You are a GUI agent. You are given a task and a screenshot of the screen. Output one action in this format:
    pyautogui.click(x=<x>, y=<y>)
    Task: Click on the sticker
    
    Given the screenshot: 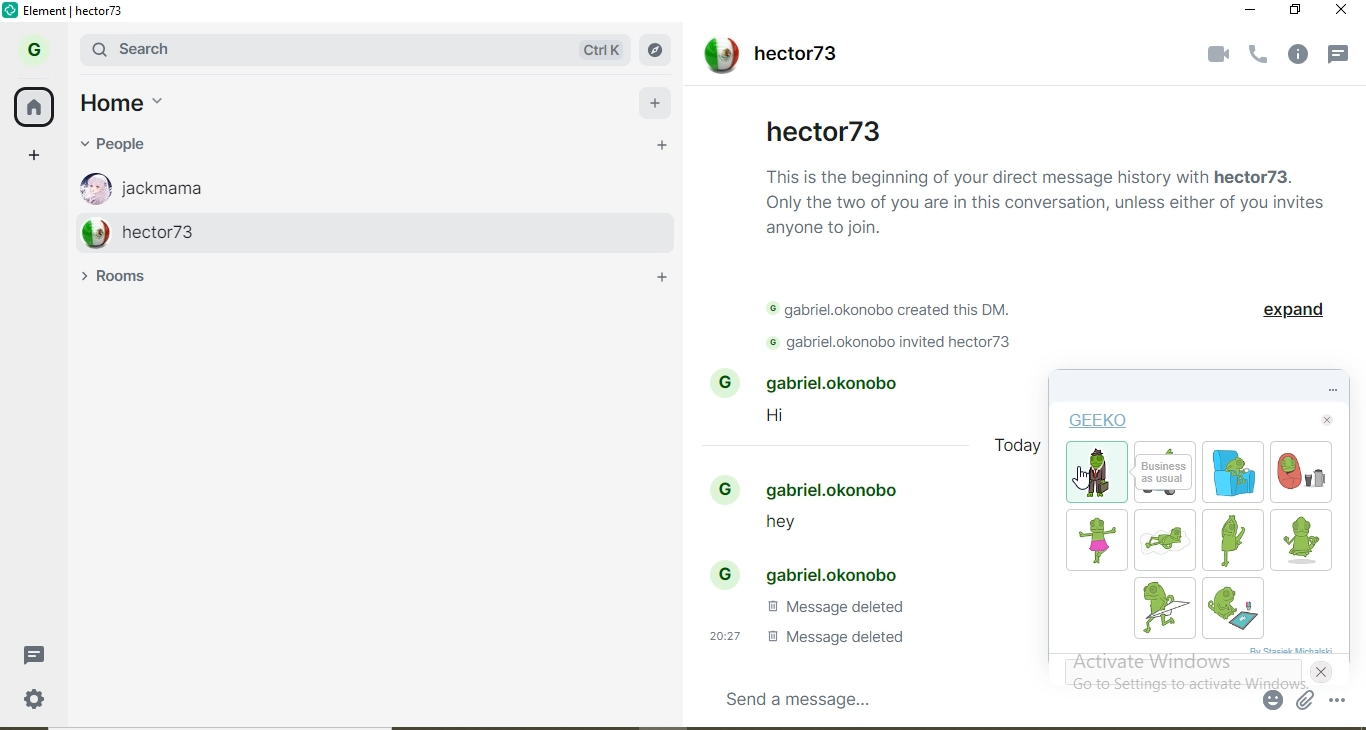 What is the action you would take?
    pyautogui.click(x=1168, y=474)
    